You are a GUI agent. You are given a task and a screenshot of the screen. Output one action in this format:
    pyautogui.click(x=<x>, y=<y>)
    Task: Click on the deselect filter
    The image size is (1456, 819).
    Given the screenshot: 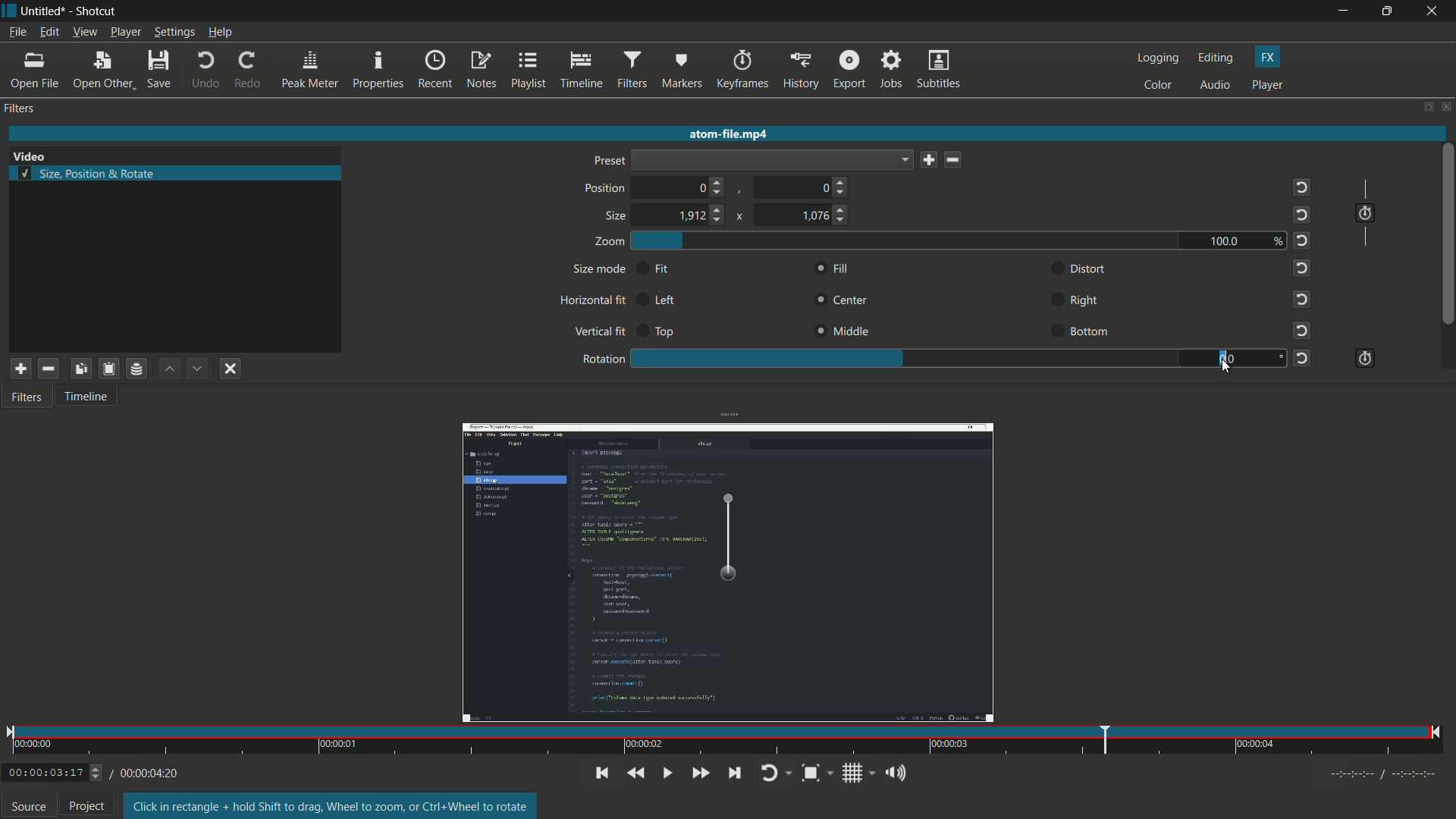 What is the action you would take?
    pyautogui.click(x=231, y=370)
    